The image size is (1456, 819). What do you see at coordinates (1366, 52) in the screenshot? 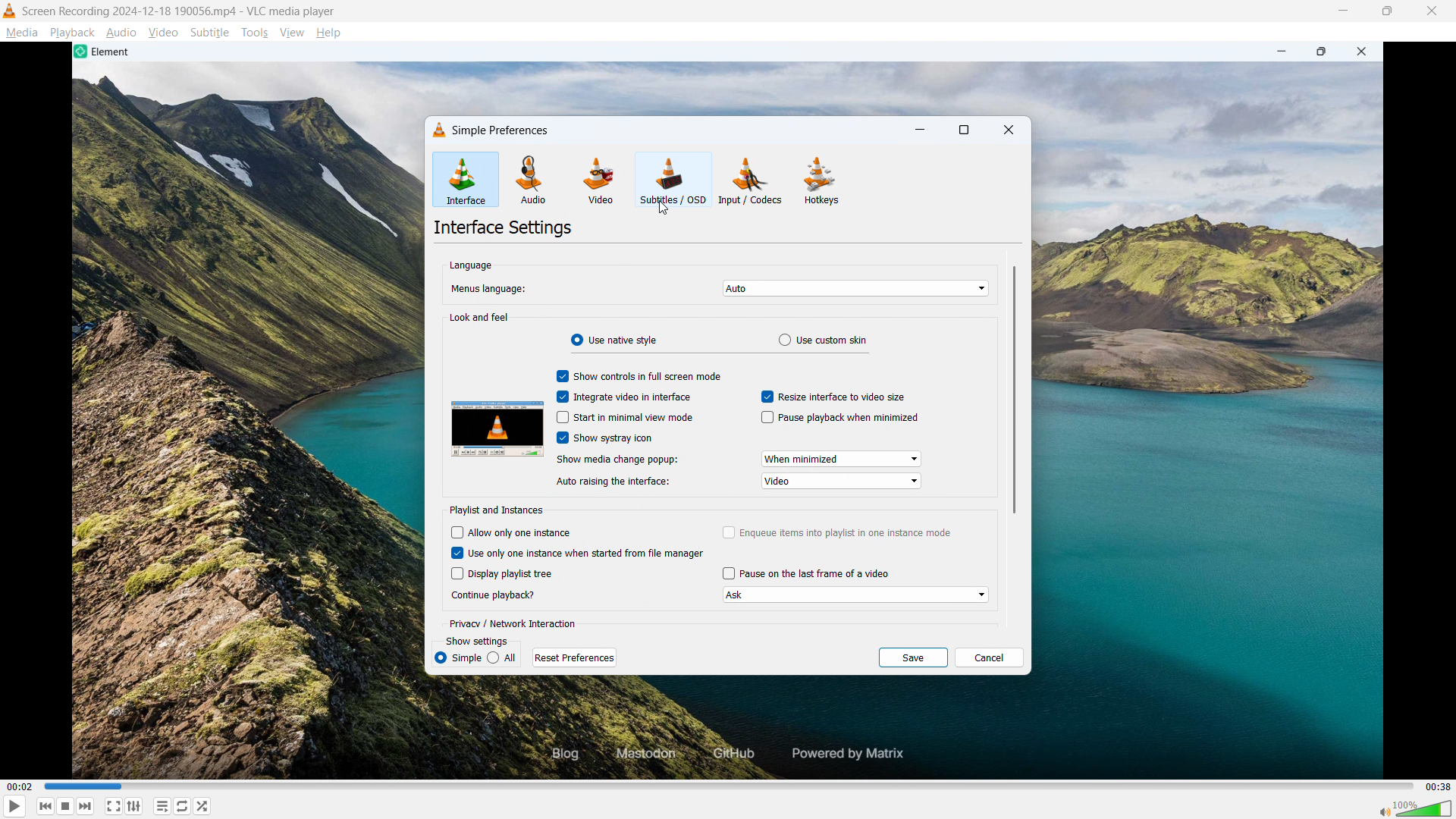
I see `close` at bounding box center [1366, 52].